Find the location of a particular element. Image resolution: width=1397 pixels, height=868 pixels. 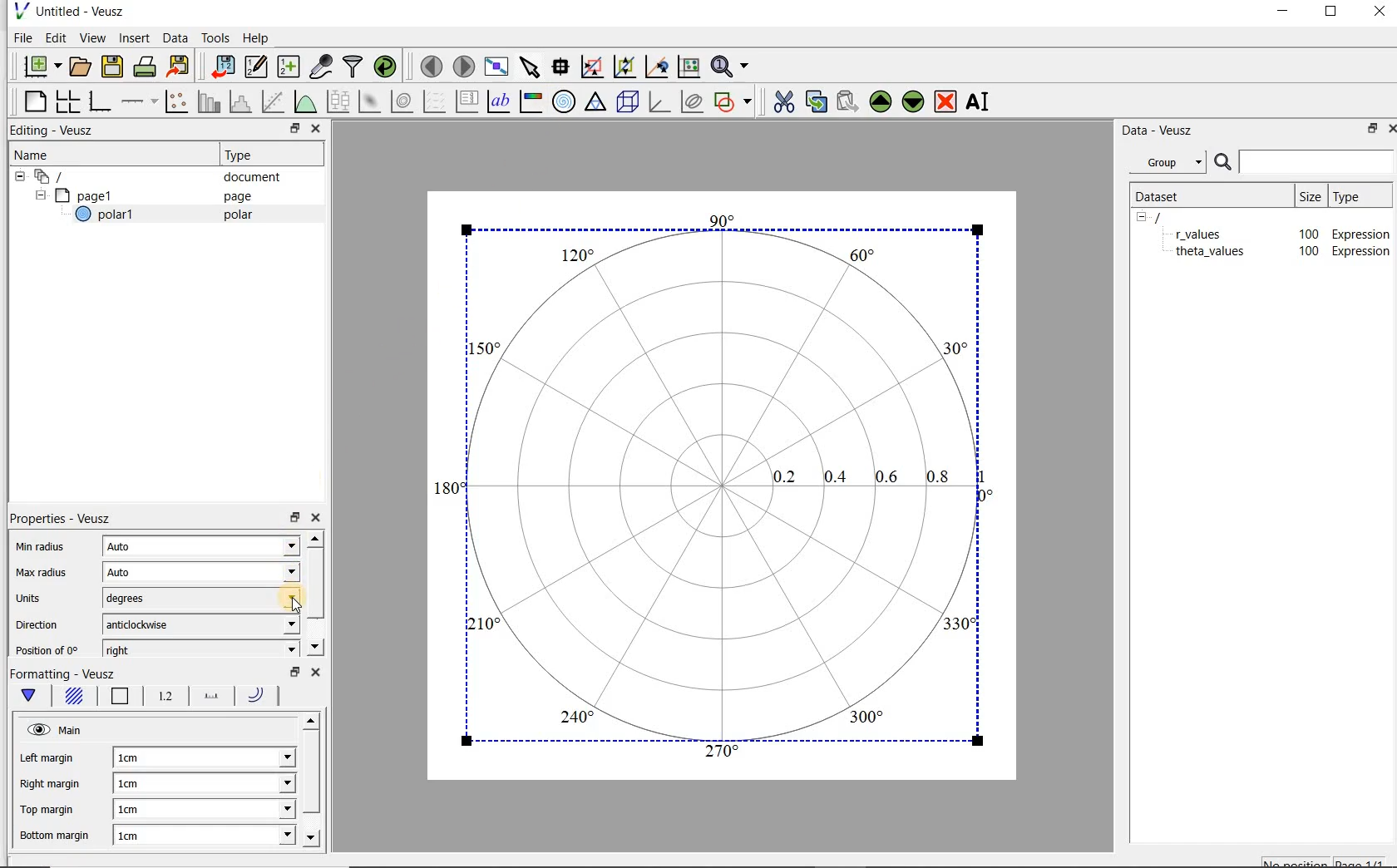

Close is located at coordinates (1389, 127).